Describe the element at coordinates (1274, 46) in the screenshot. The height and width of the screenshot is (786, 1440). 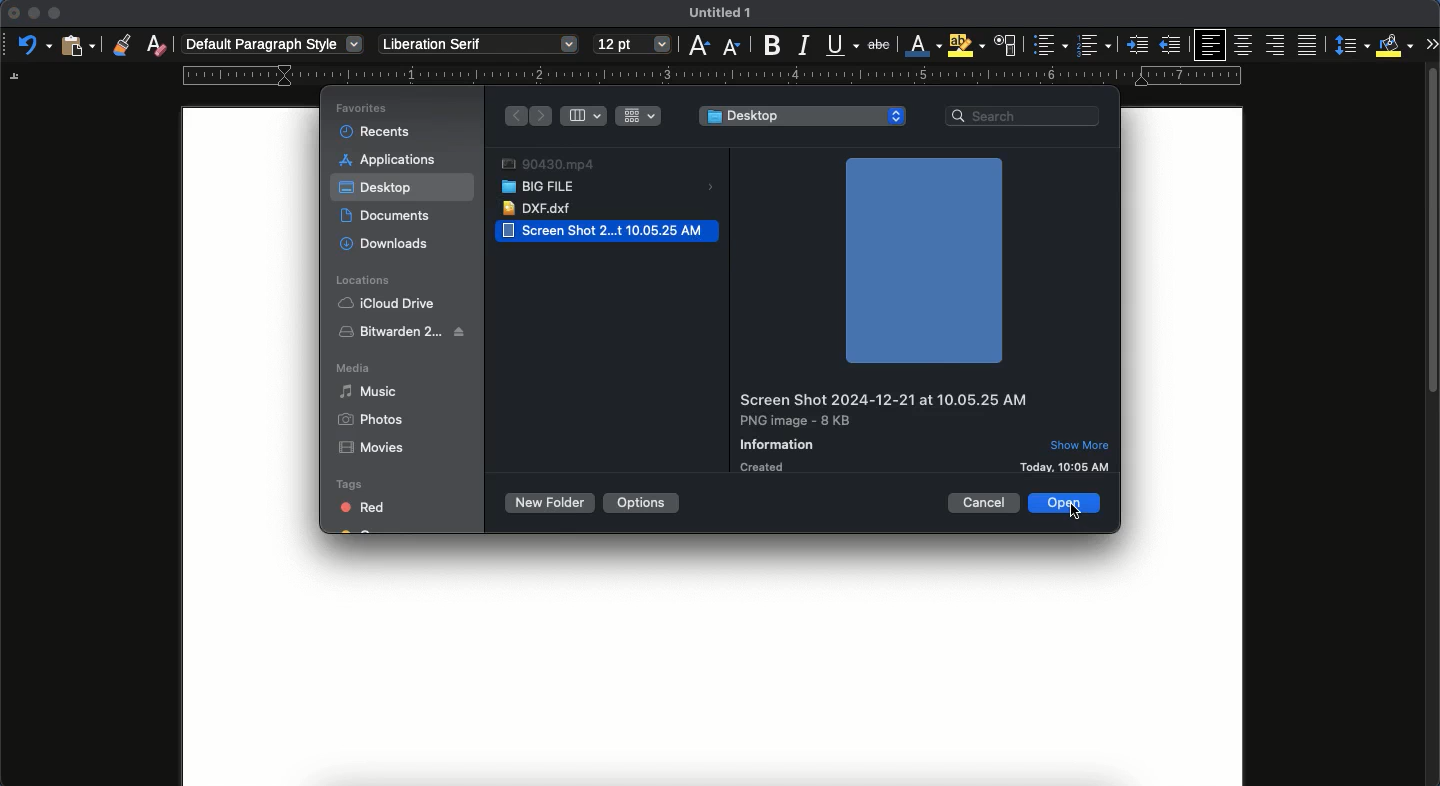
I see `right aligned` at that location.